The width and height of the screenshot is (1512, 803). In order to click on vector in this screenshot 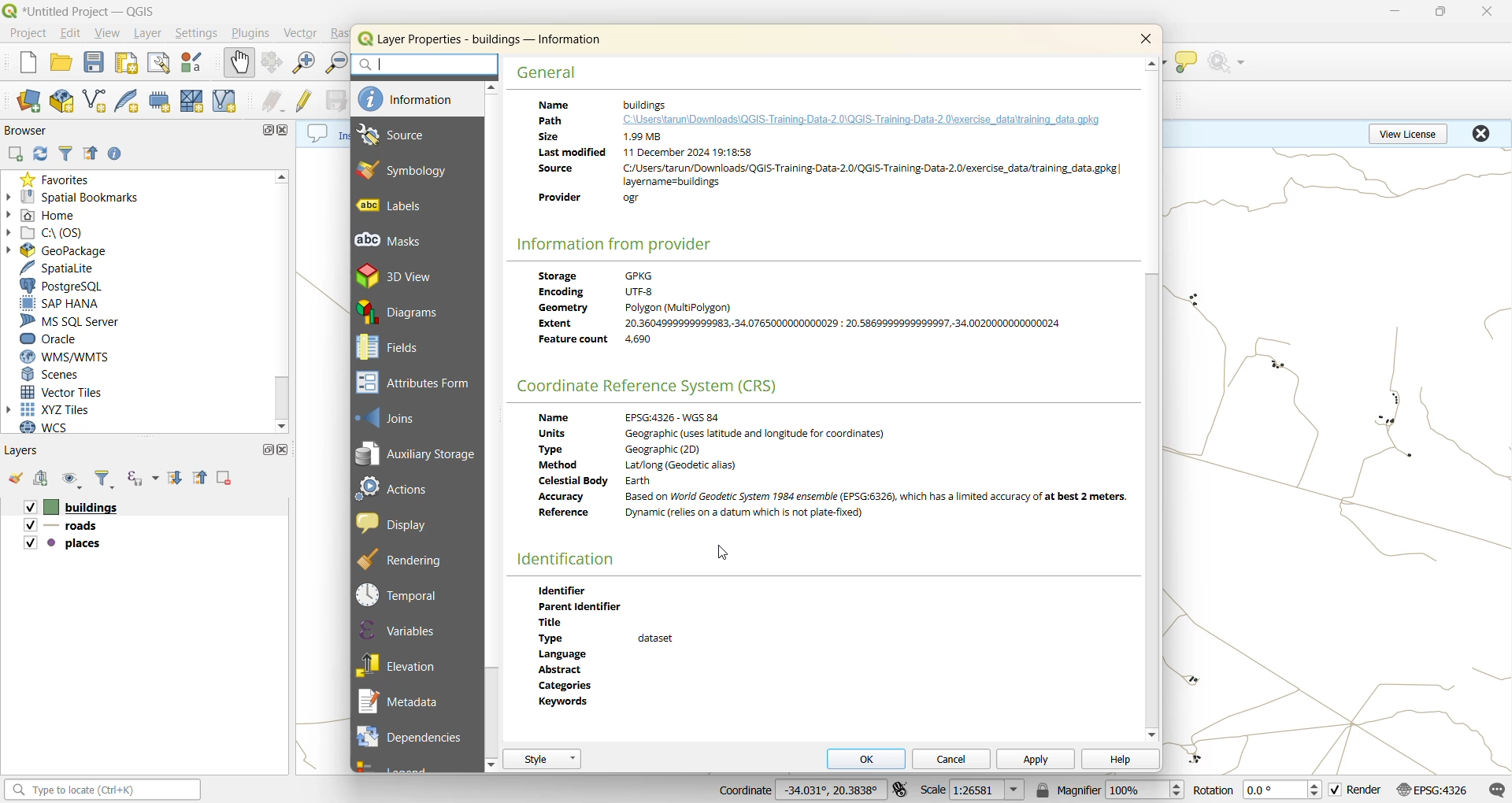, I will do `click(302, 33)`.